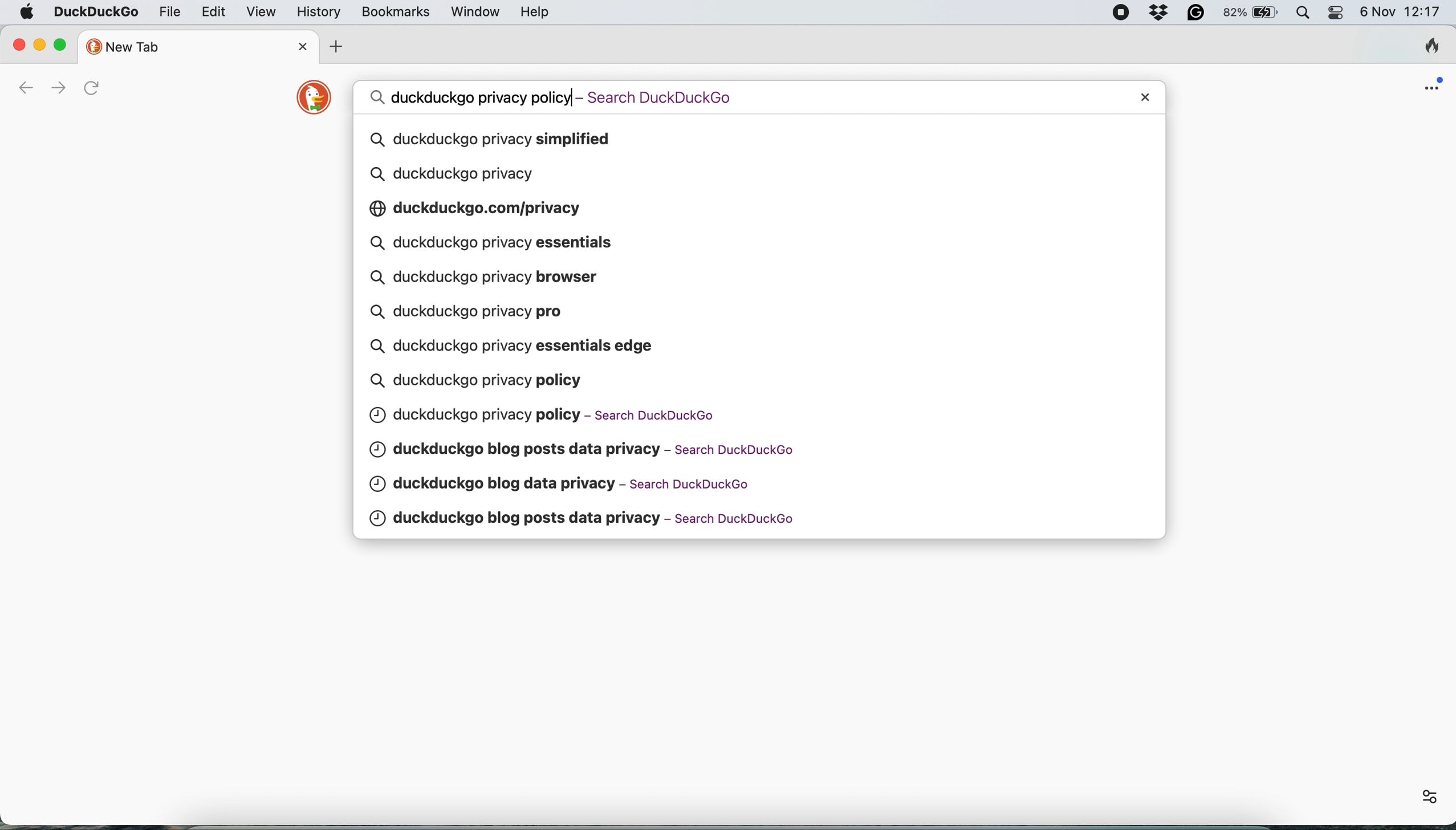  Describe the element at coordinates (1402, 13) in the screenshot. I see `6 Nov 12:17` at that location.